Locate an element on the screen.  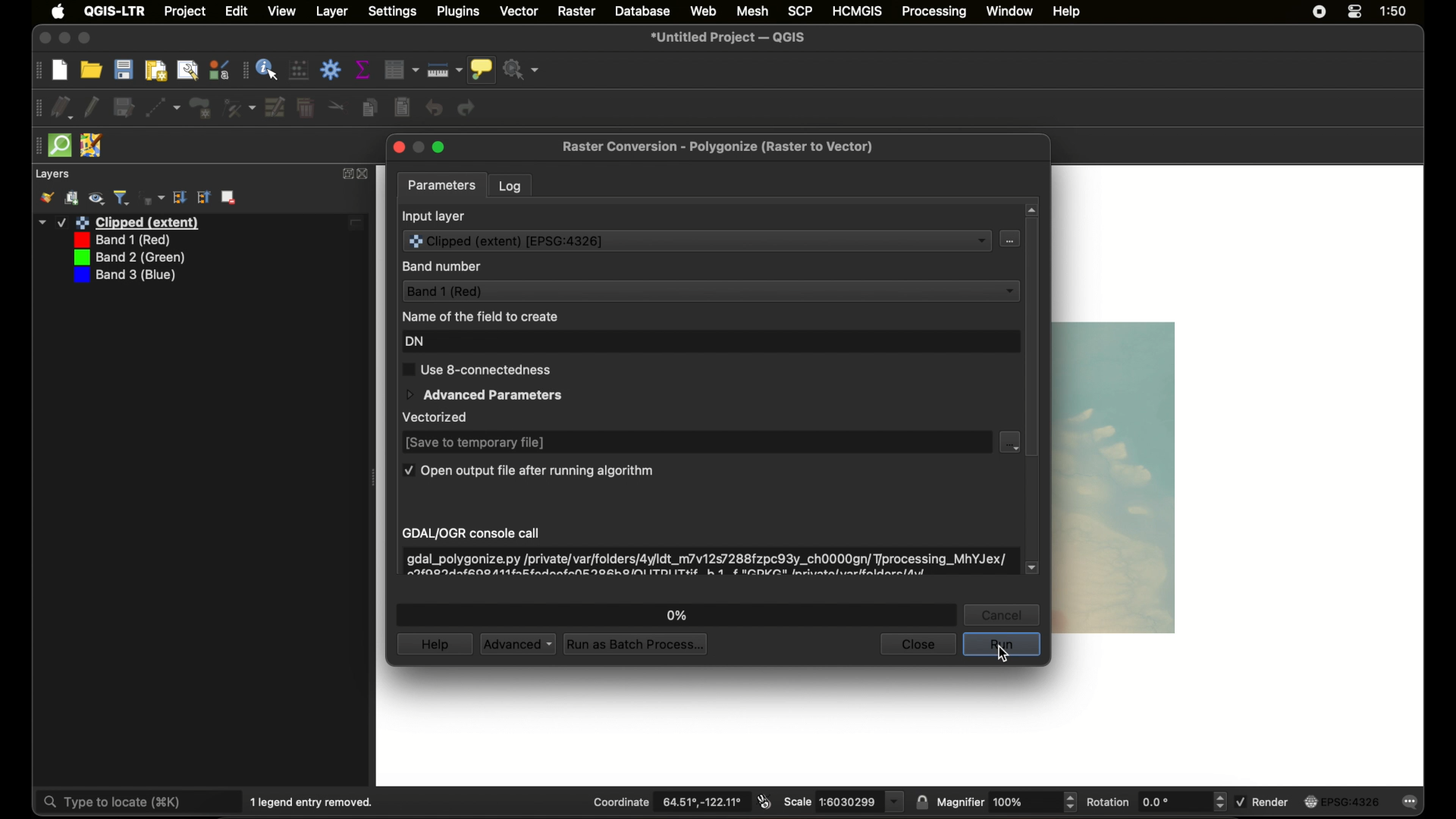
save to temporary file is located at coordinates (475, 443).